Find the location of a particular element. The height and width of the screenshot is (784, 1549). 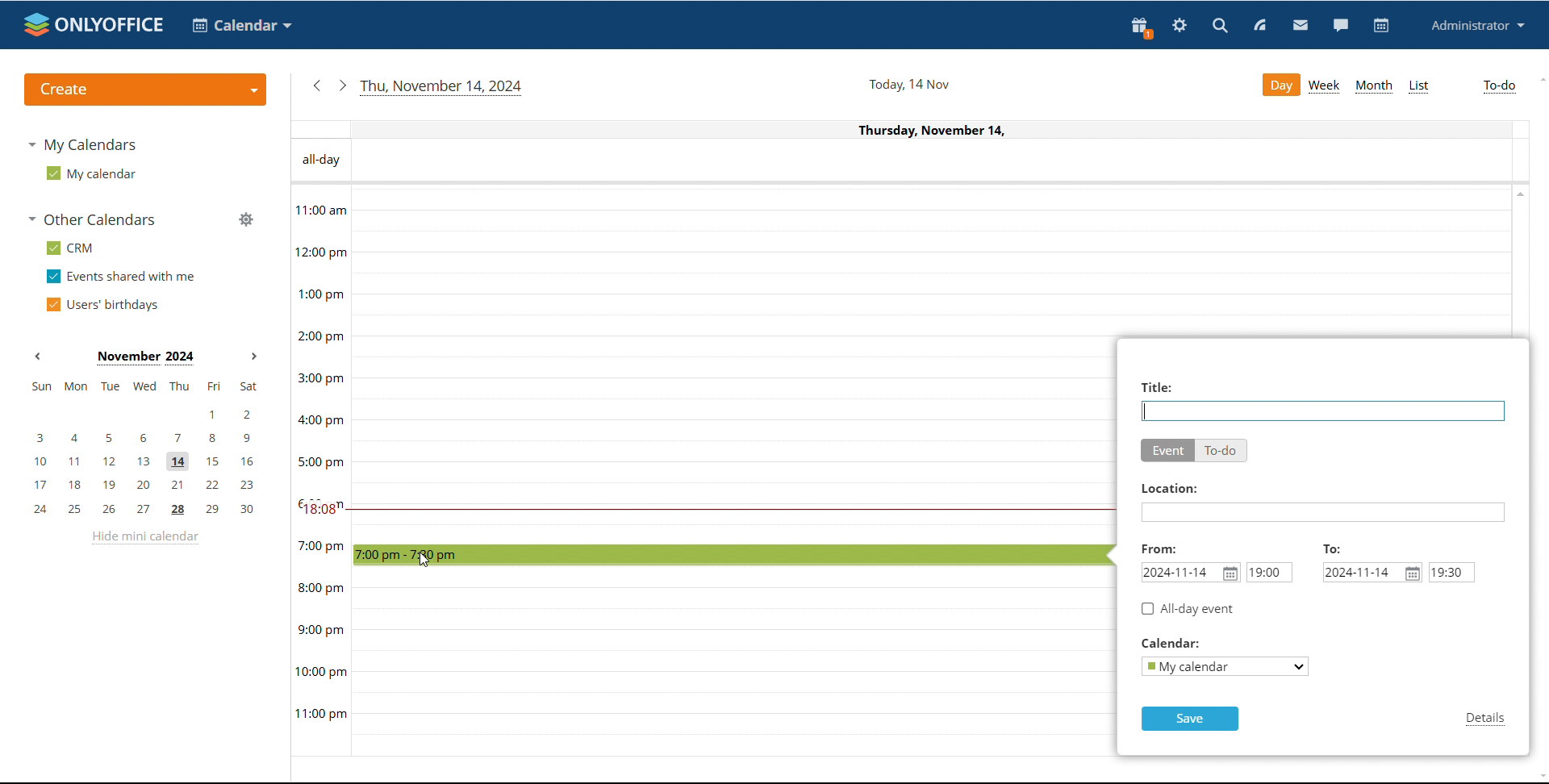

next date is located at coordinates (341, 85).